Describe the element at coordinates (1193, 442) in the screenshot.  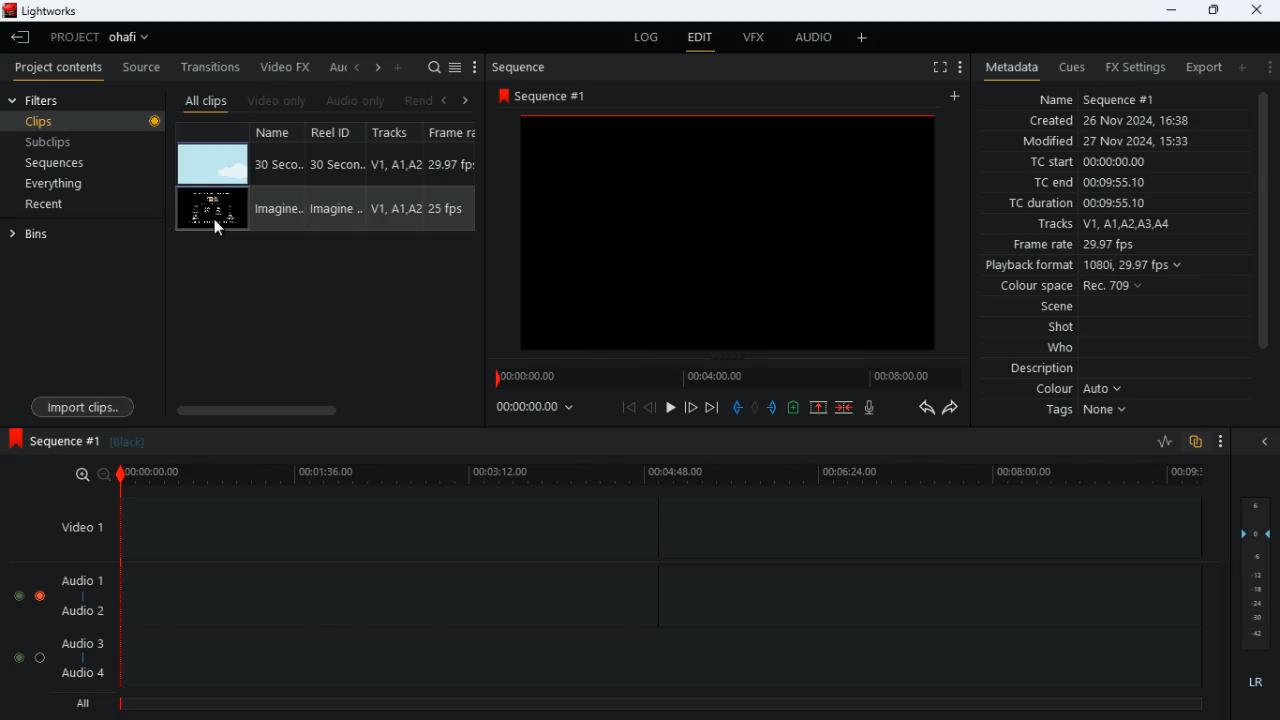
I see `overlap` at that location.